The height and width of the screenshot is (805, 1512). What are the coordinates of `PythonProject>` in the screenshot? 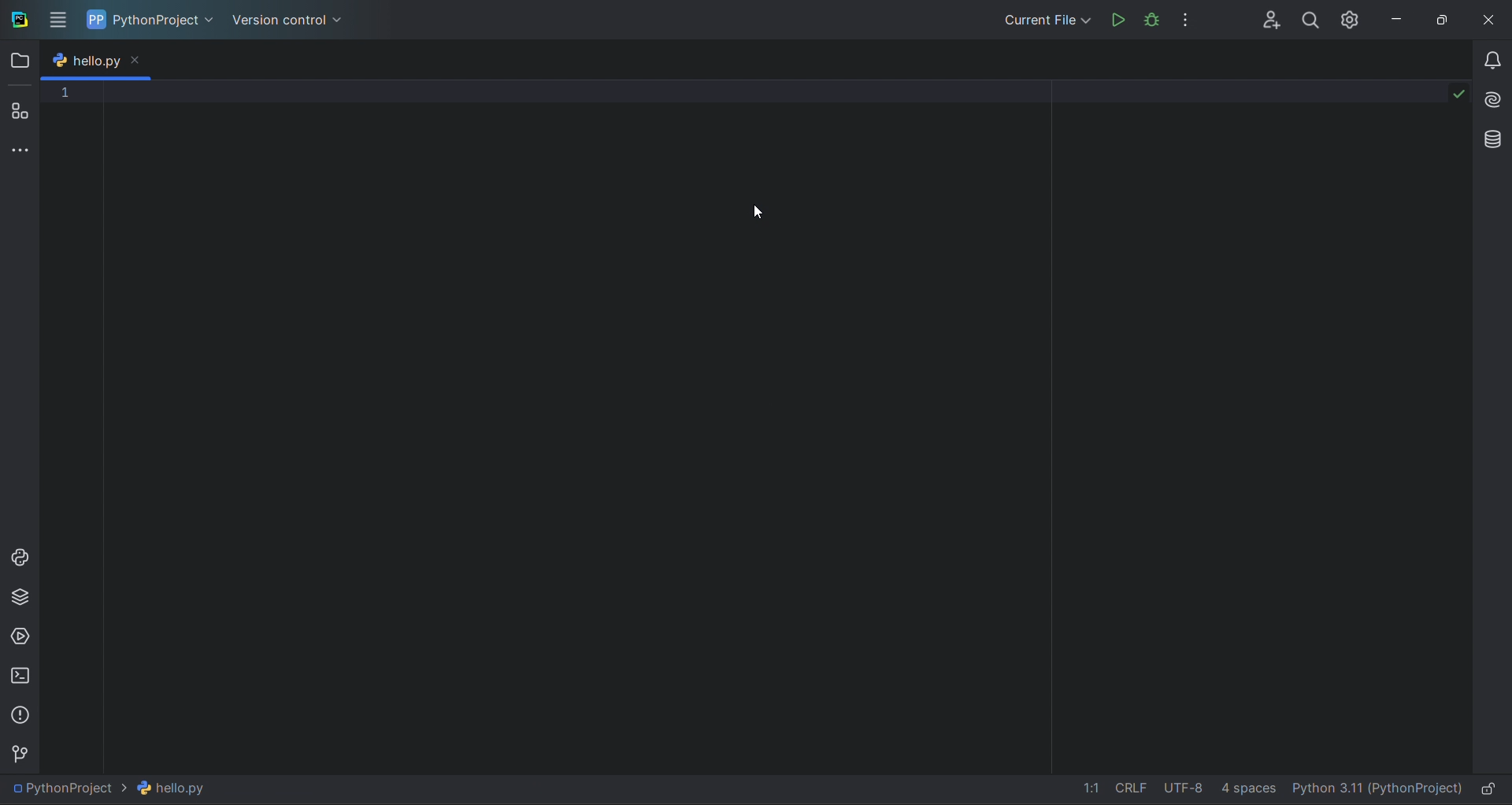 It's located at (103, 792).